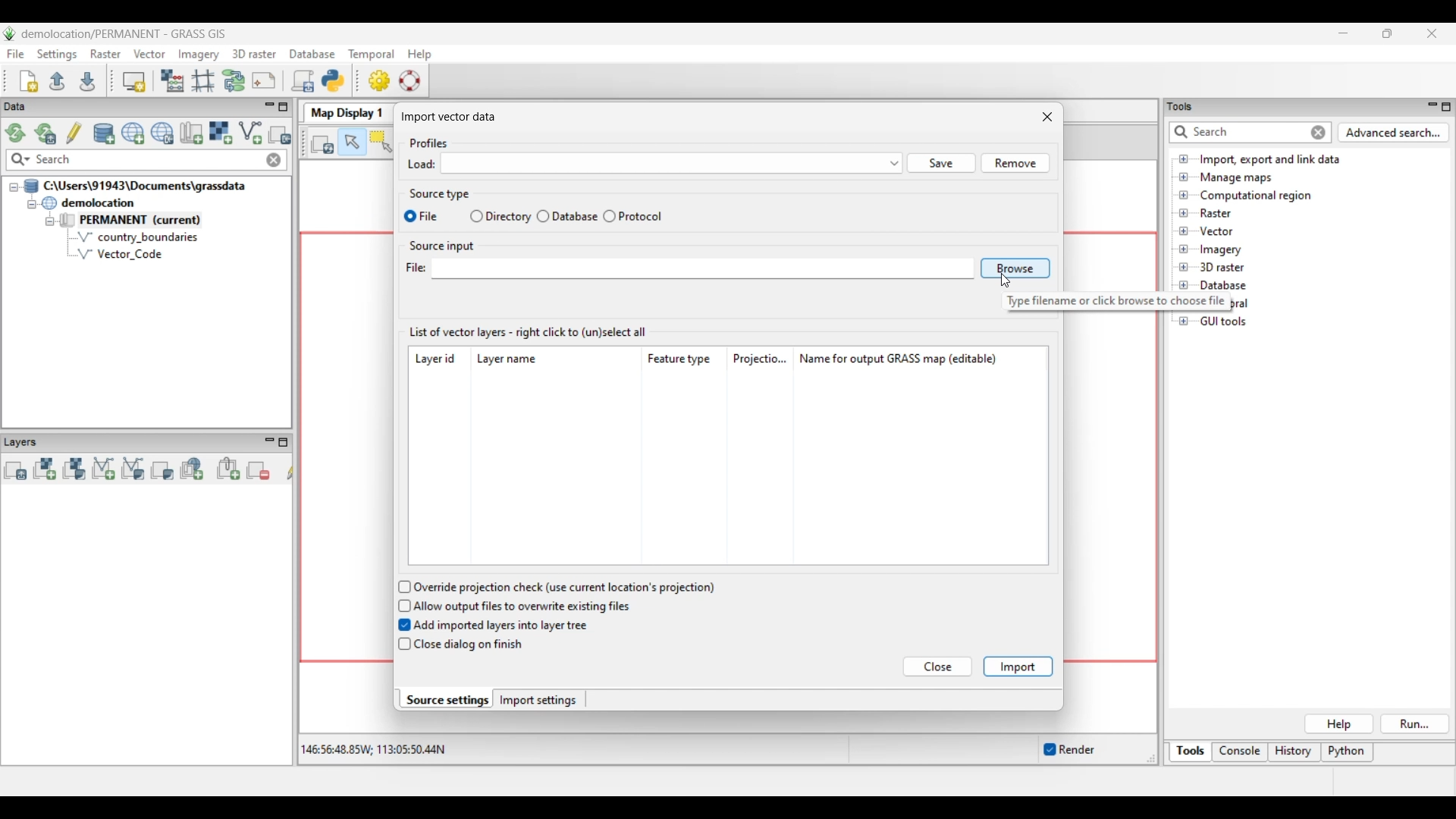  Describe the element at coordinates (102, 133) in the screenshot. I see `Add existing or create new database` at that location.